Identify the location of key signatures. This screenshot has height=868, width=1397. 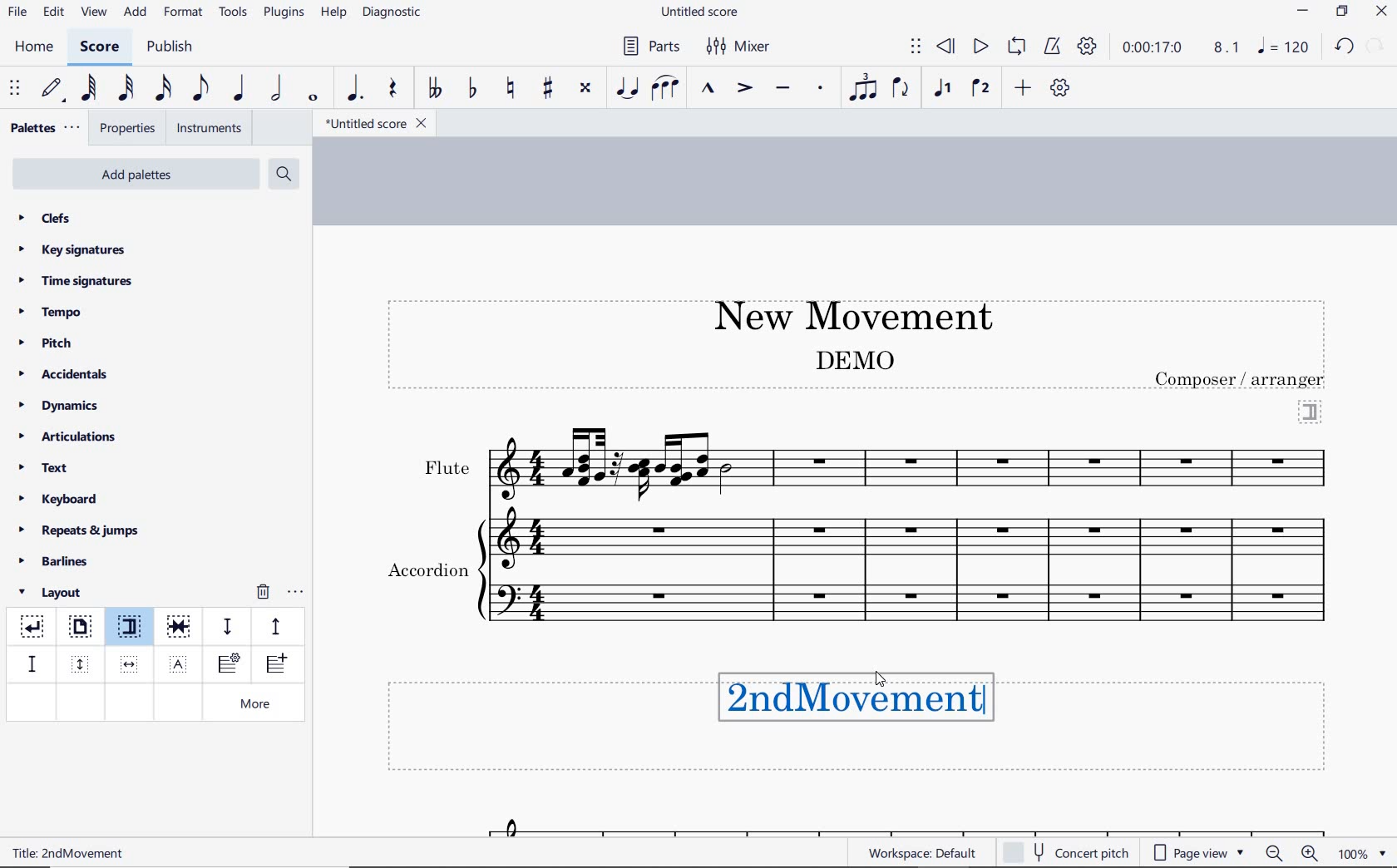
(71, 249).